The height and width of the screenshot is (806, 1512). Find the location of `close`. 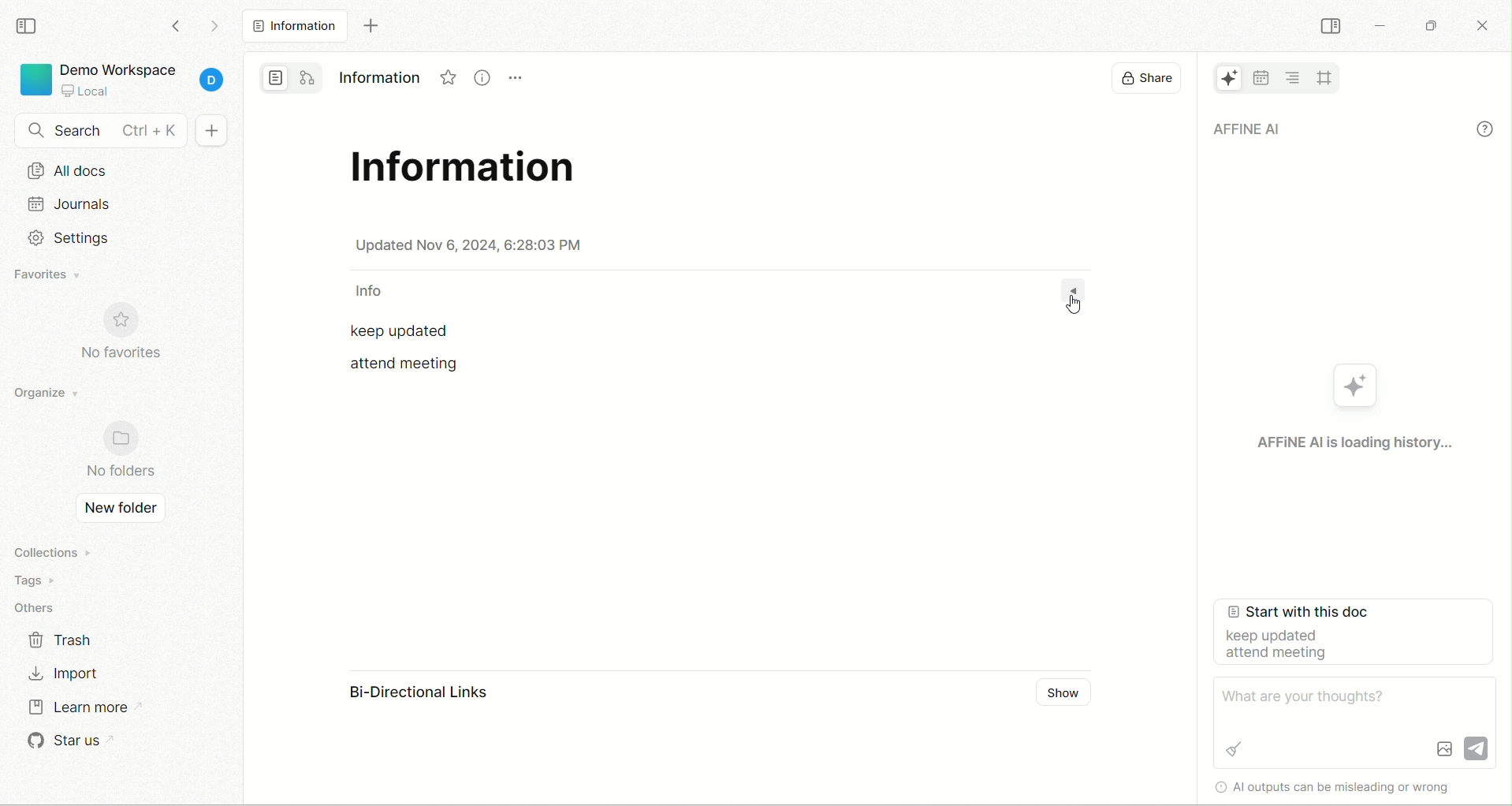

close is located at coordinates (1484, 28).